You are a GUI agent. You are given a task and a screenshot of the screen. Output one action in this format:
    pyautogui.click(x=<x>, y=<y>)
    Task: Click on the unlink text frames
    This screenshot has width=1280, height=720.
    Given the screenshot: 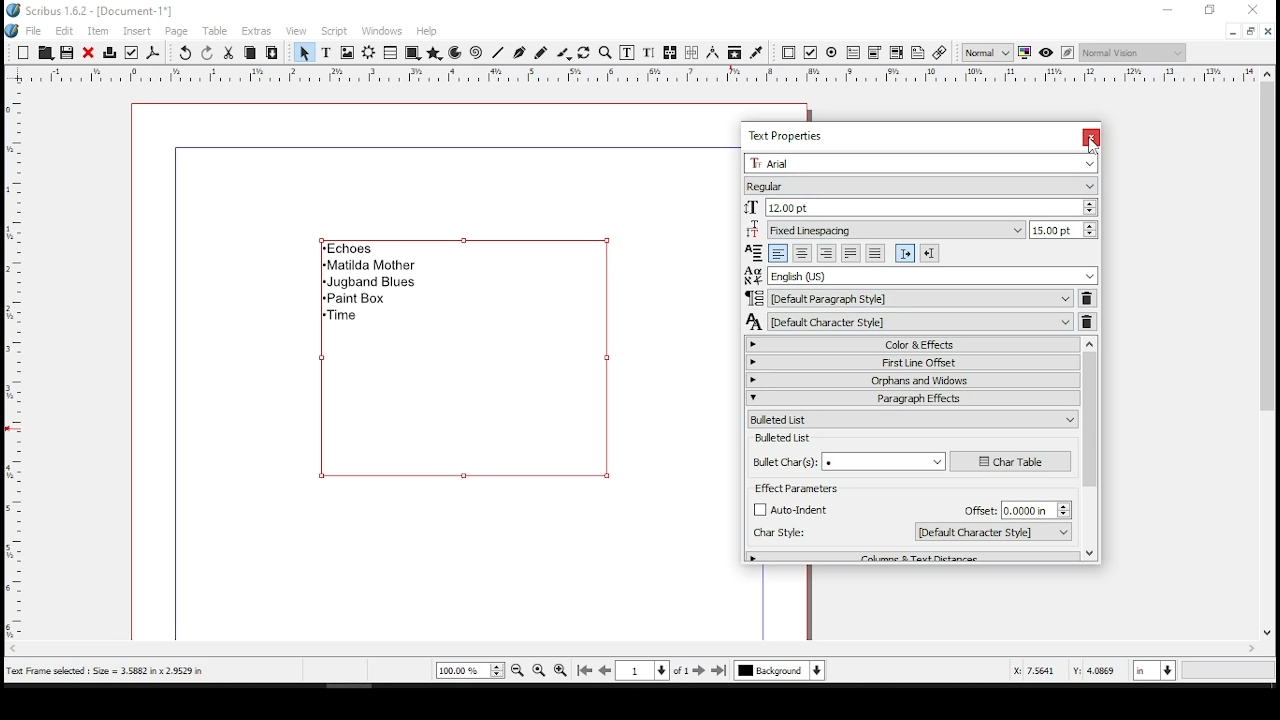 What is the action you would take?
    pyautogui.click(x=692, y=52)
    